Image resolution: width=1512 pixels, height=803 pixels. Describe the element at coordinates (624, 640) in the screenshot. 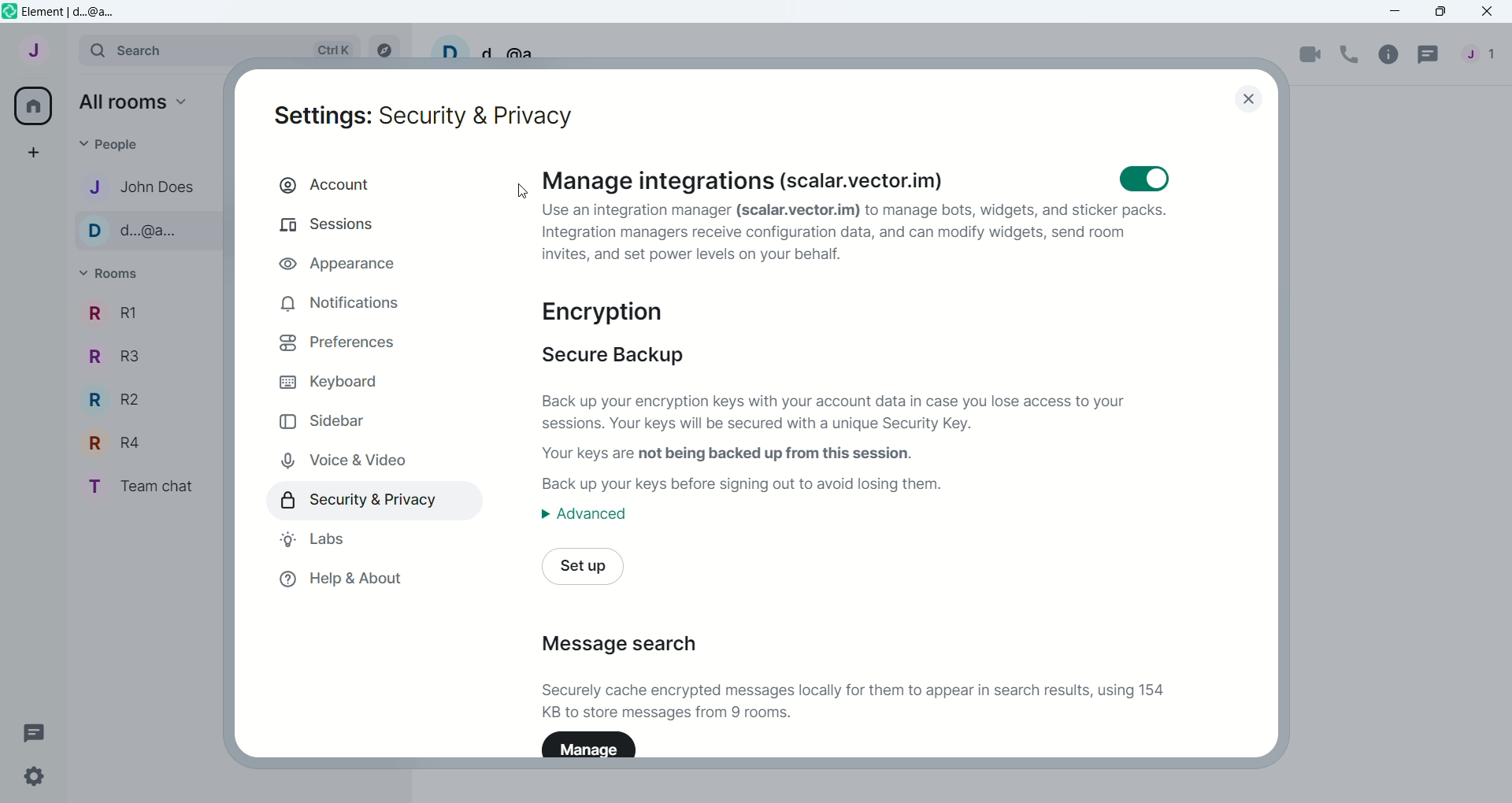

I see `message search` at that location.